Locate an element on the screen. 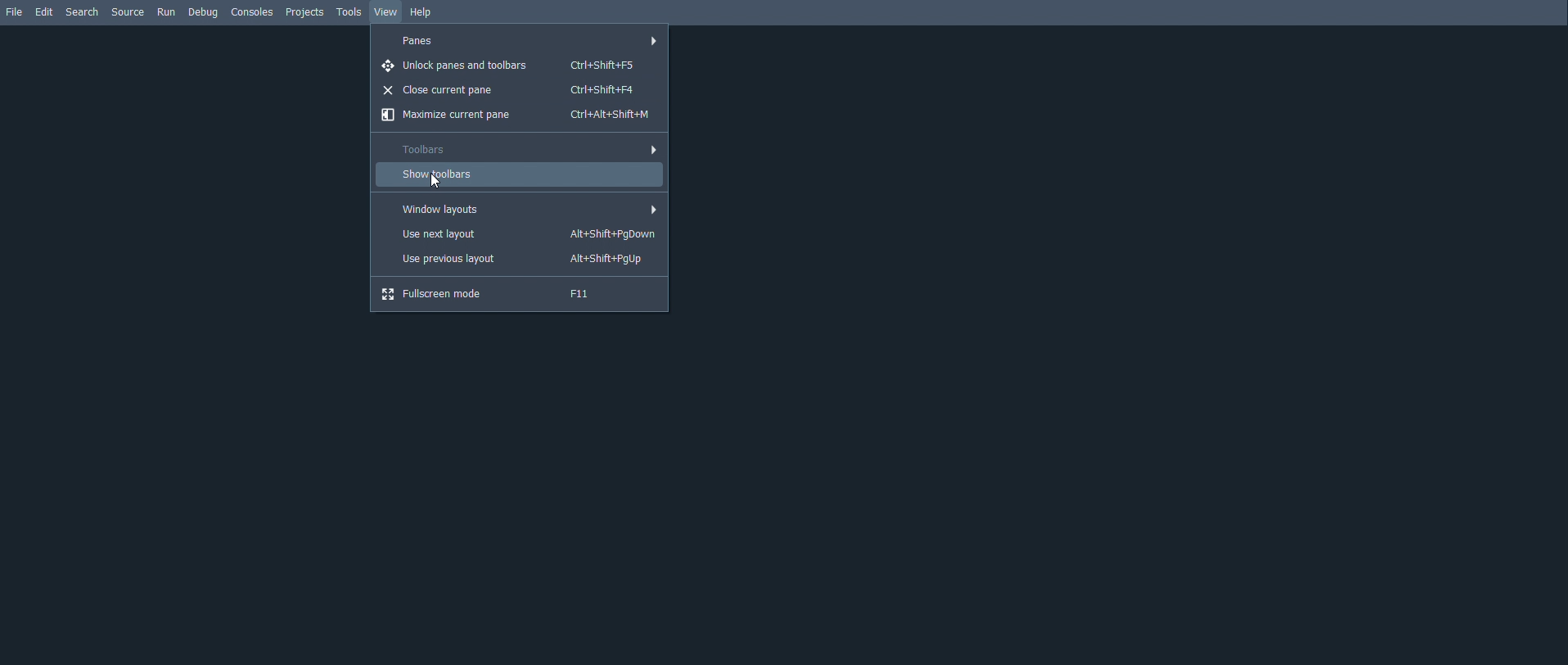 The height and width of the screenshot is (665, 1568). Help is located at coordinates (429, 12).